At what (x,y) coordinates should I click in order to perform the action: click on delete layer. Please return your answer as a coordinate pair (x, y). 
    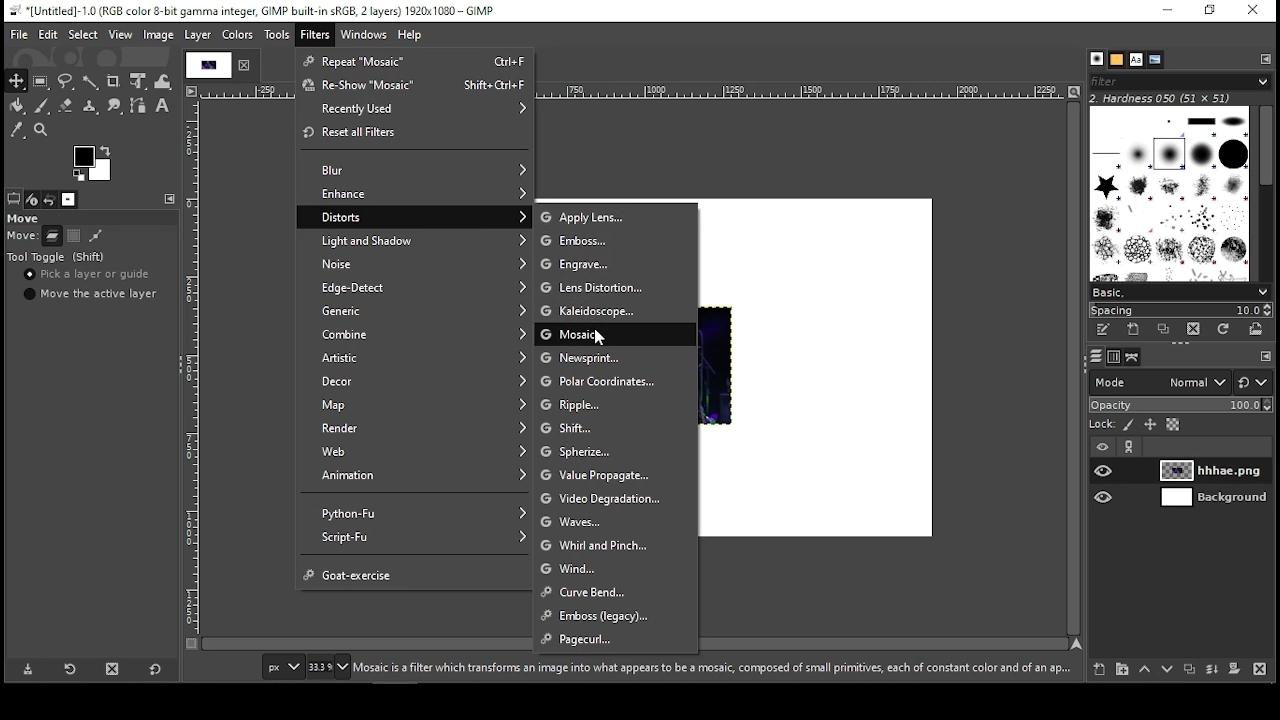
    Looking at the image, I should click on (1263, 668).